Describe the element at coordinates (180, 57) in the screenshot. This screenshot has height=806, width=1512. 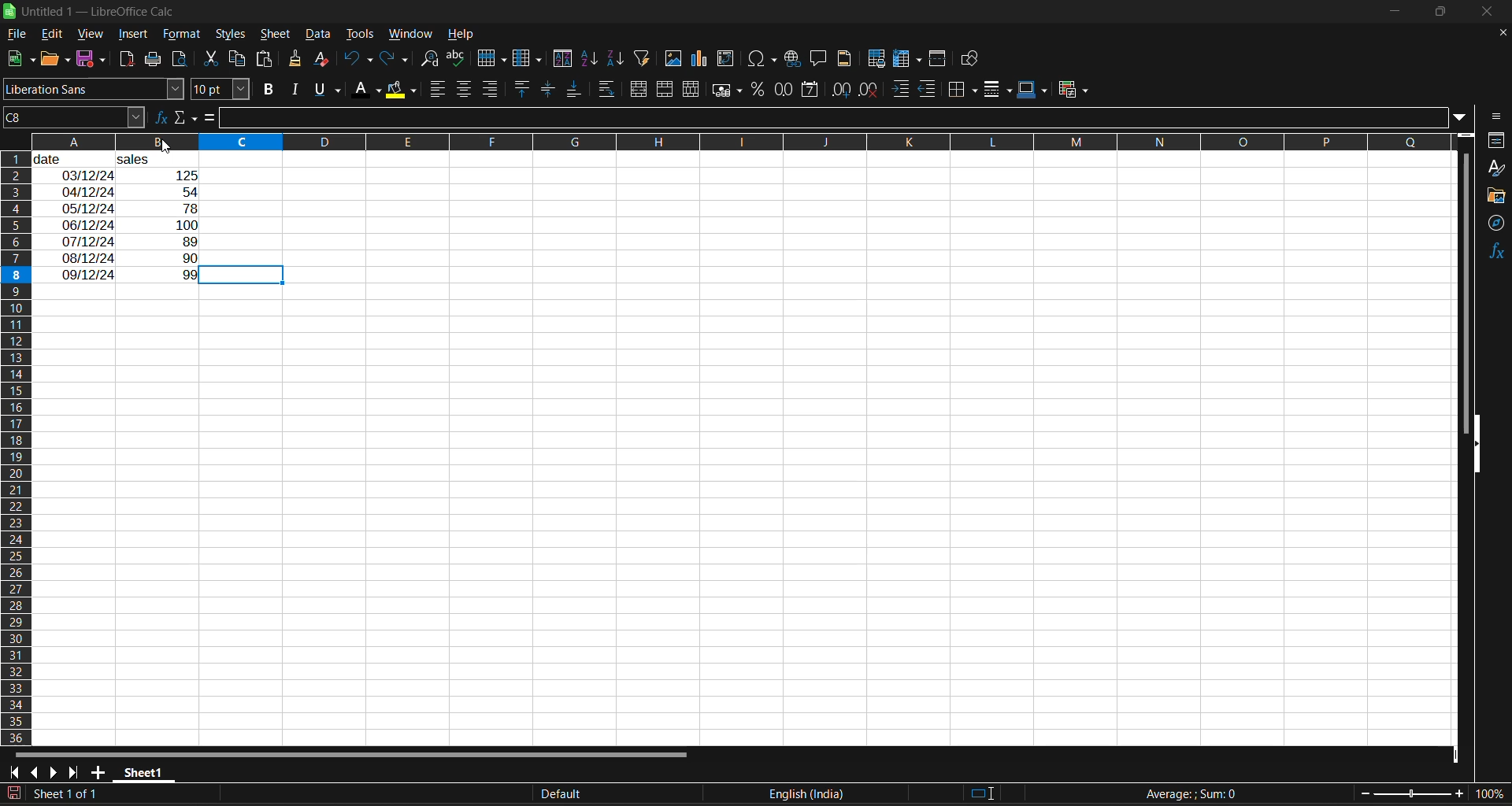
I see `toggle print preview` at that location.